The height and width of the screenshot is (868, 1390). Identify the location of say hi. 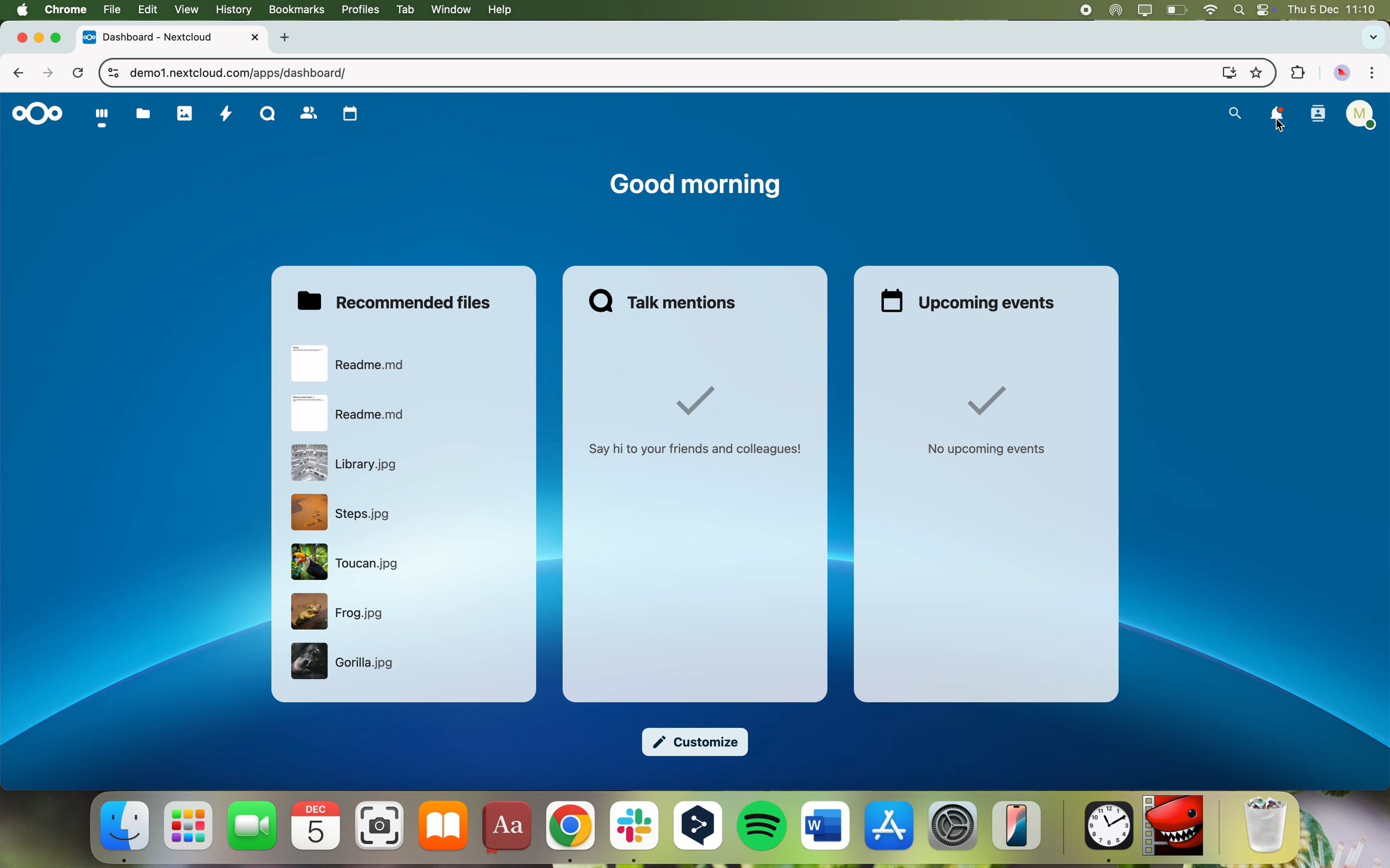
(698, 421).